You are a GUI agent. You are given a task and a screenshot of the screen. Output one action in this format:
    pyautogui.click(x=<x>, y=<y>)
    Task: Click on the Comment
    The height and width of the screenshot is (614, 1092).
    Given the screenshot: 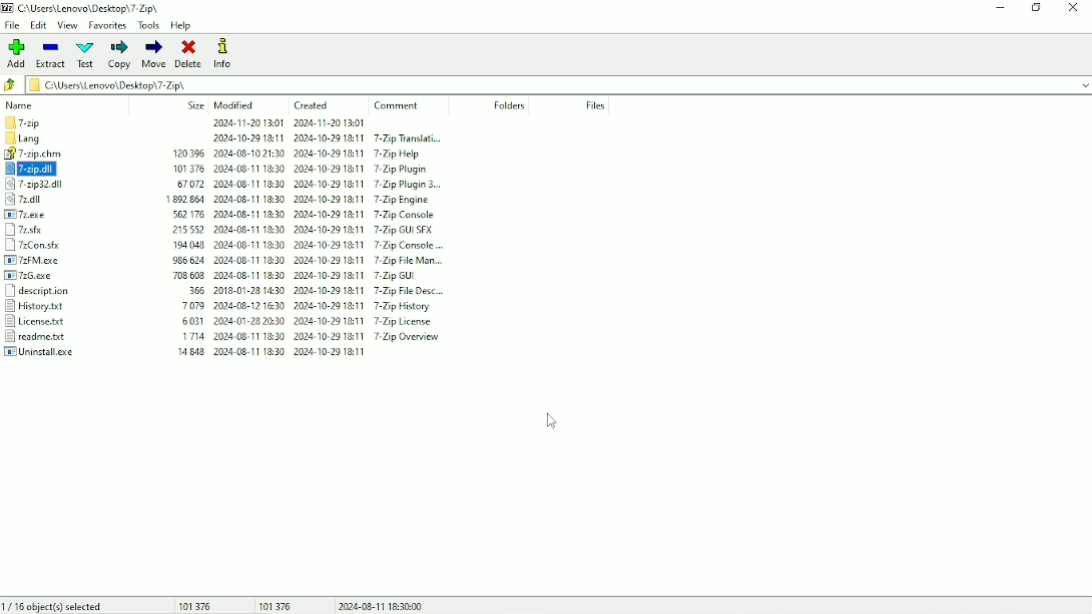 What is the action you would take?
    pyautogui.click(x=399, y=105)
    